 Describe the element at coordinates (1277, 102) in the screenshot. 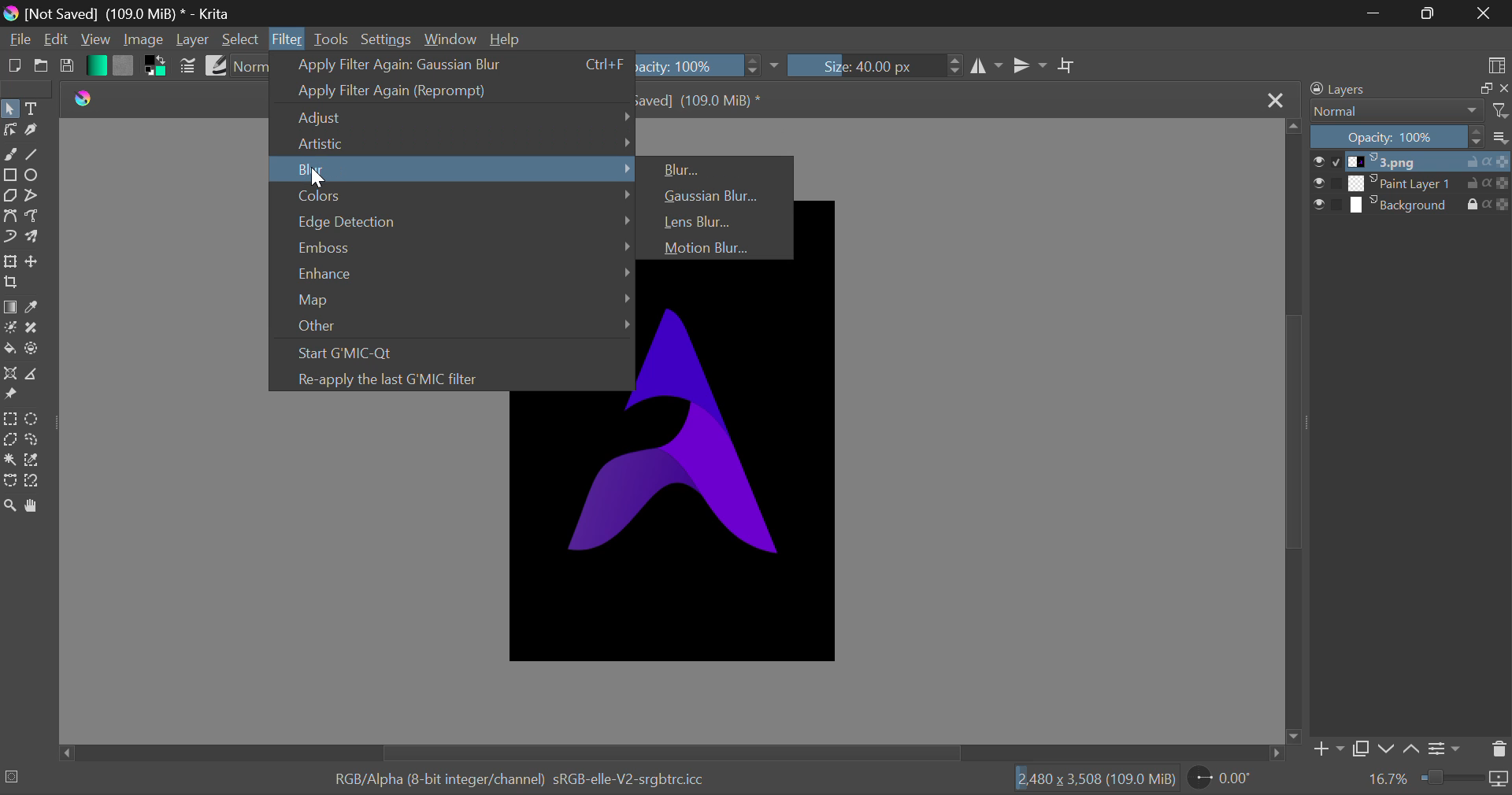

I see `Close` at that location.